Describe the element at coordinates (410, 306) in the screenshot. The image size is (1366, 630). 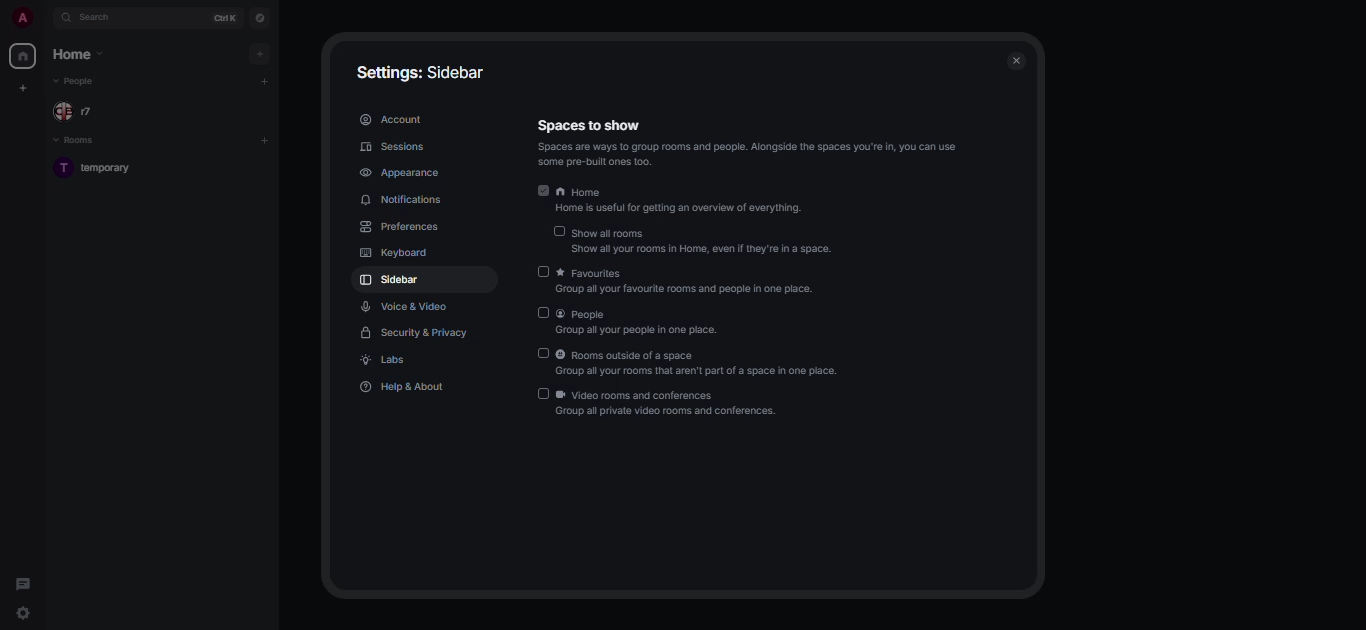
I see `voice & video` at that location.